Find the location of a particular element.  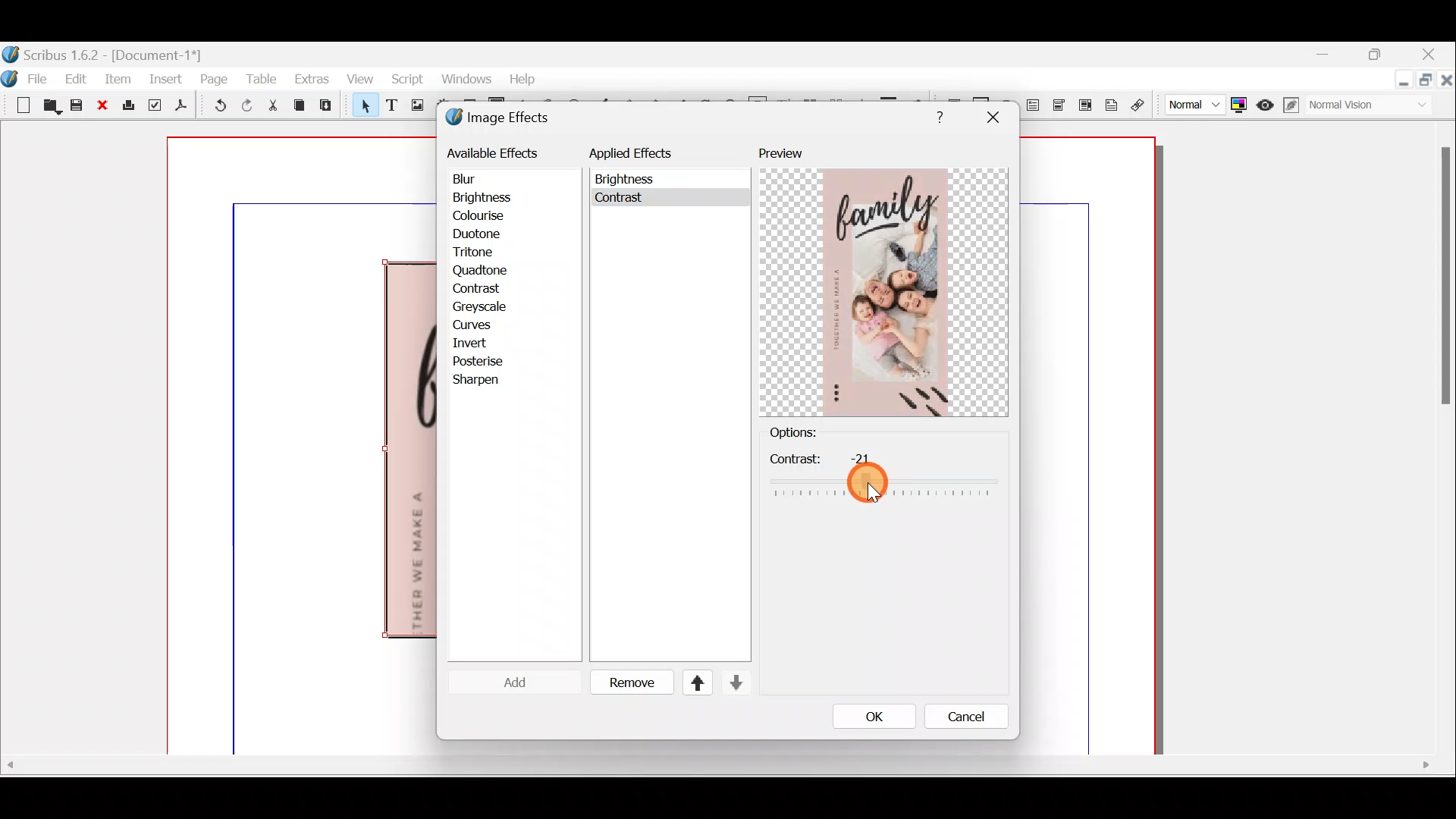

Paste is located at coordinates (329, 107).